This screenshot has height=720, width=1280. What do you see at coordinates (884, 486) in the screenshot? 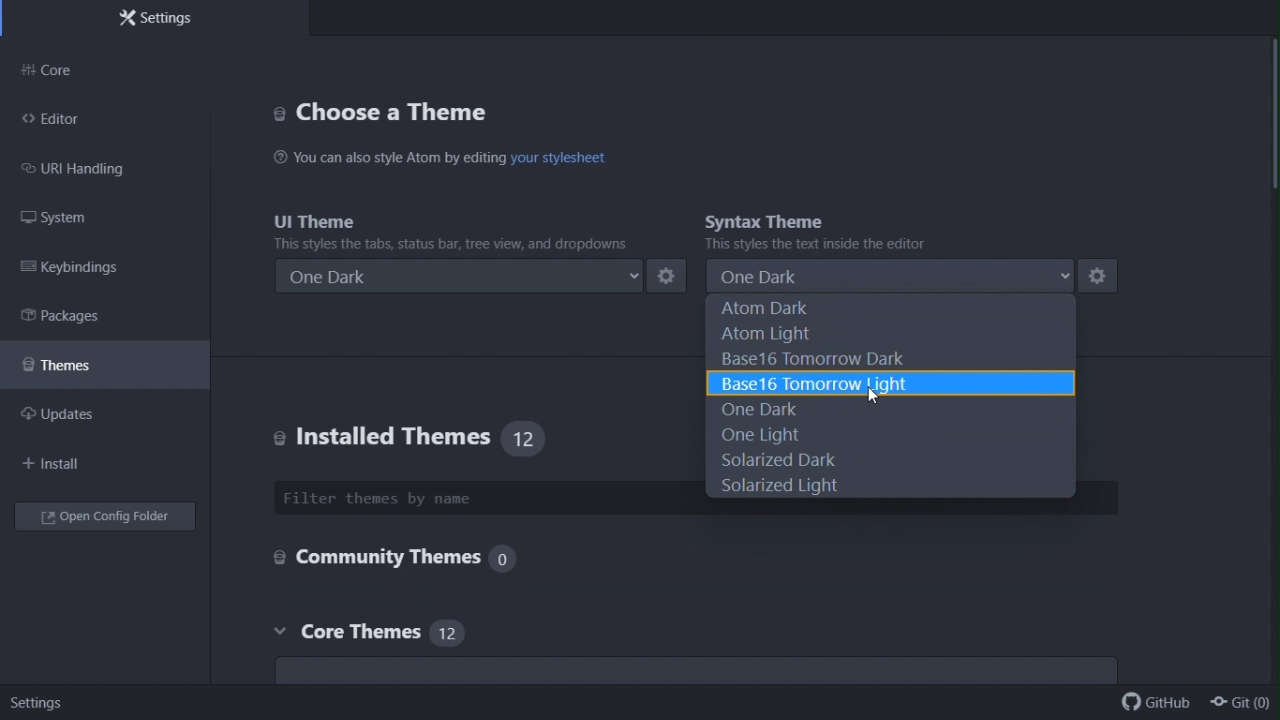
I see `Solarized light` at bounding box center [884, 486].